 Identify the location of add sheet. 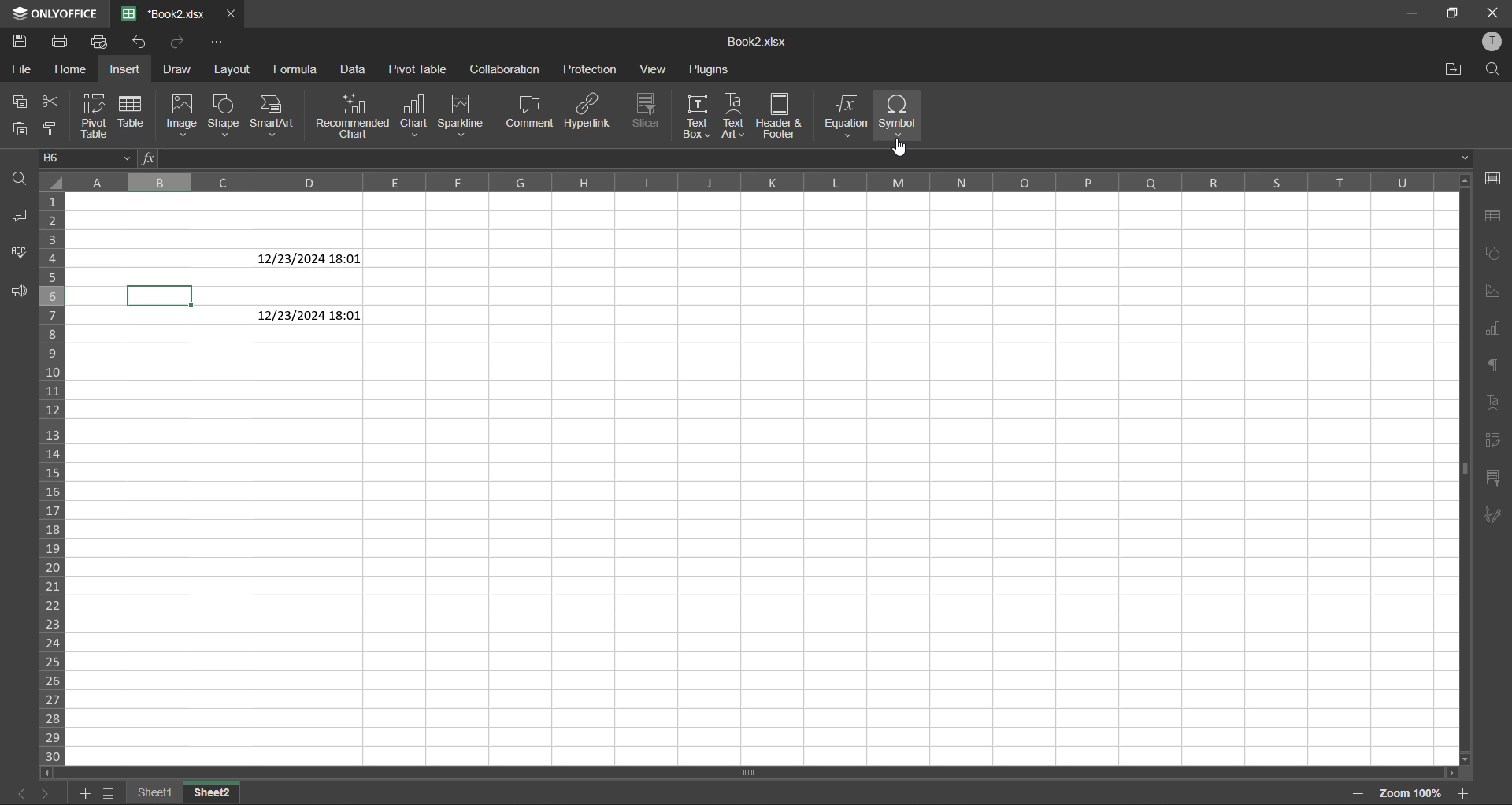
(84, 794).